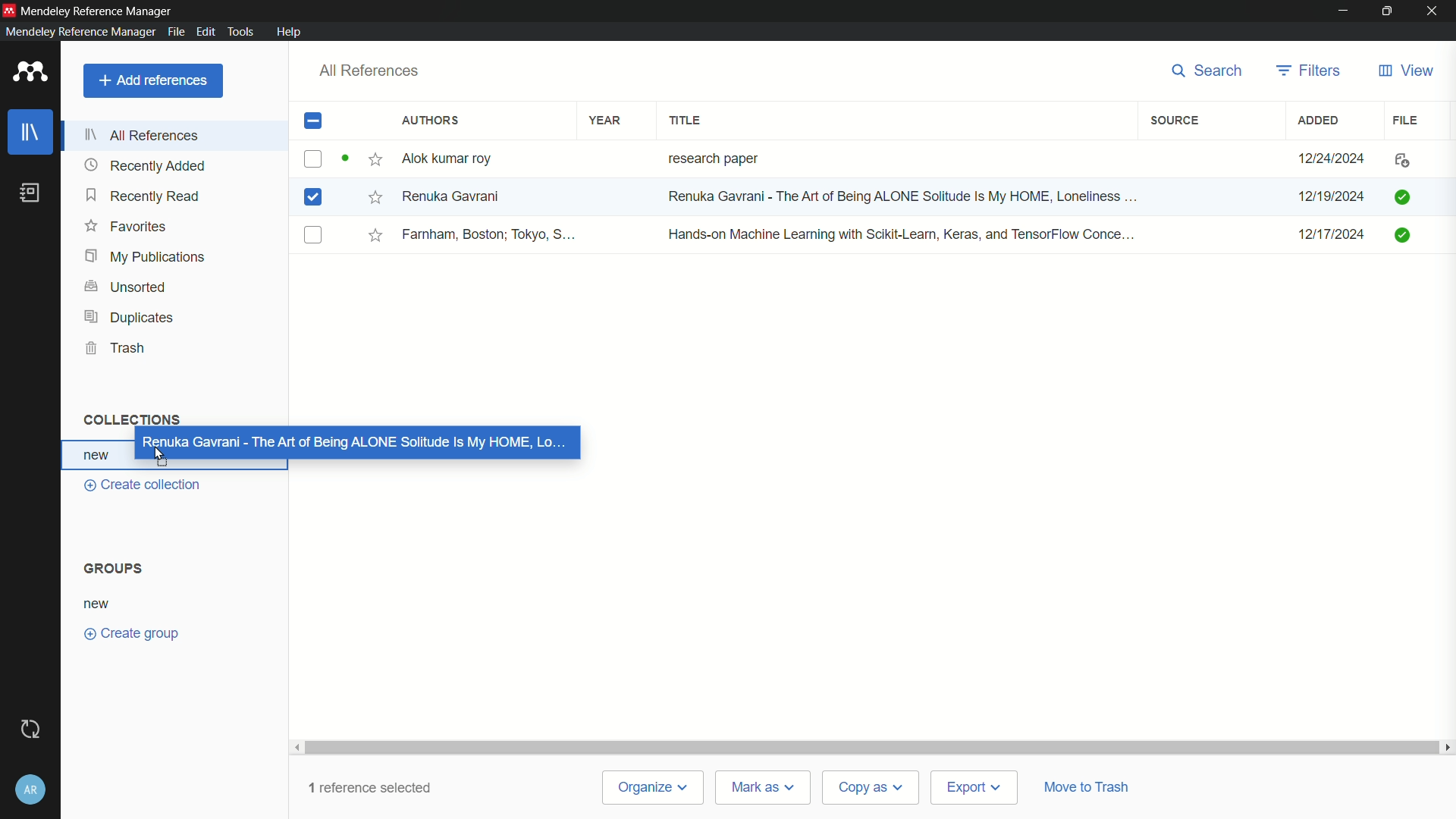 The width and height of the screenshot is (1456, 819). I want to click on 12/19/2024, so click(1328, 196).